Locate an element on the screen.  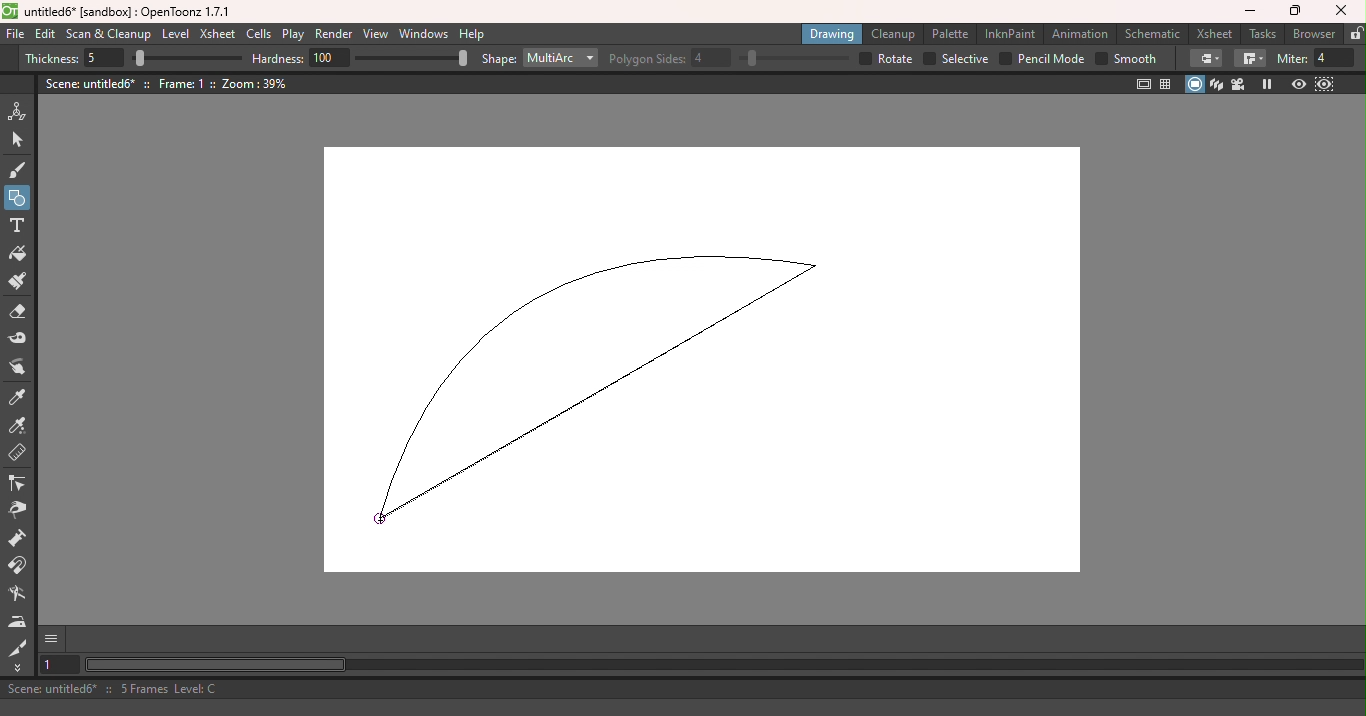
Set the current frame is located at coordinates (59, 666).